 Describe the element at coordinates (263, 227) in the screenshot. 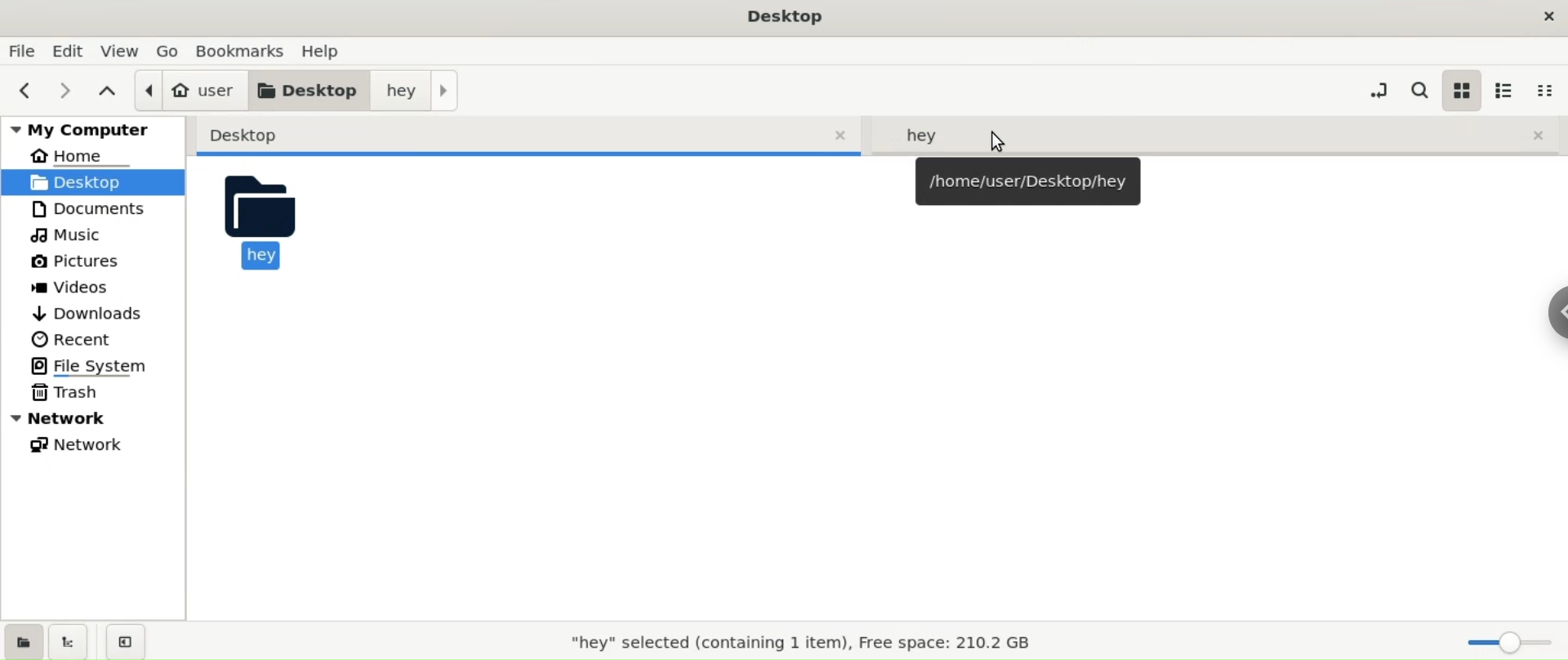

I see `hey` at that location.